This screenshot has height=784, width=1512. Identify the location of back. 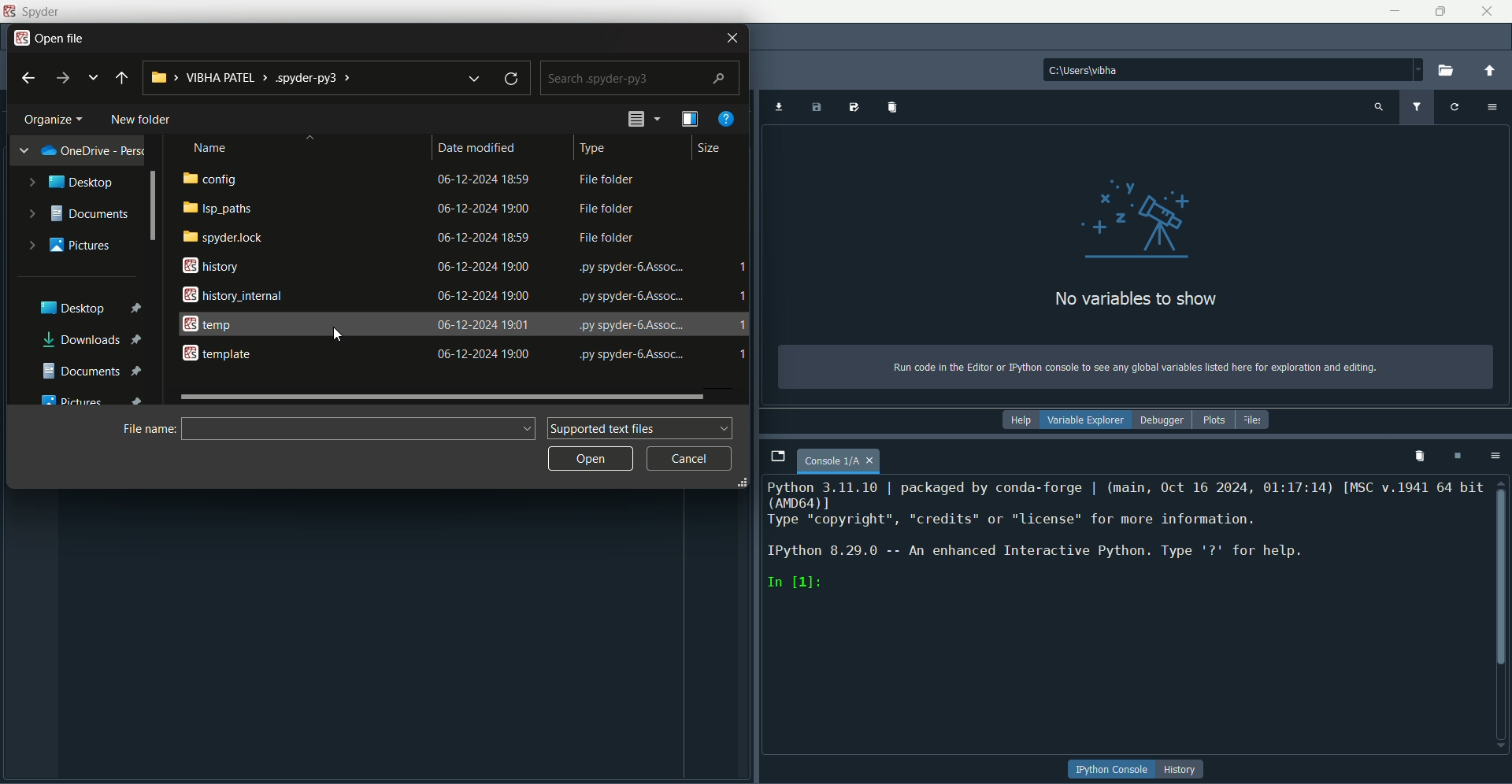
(30, 76).